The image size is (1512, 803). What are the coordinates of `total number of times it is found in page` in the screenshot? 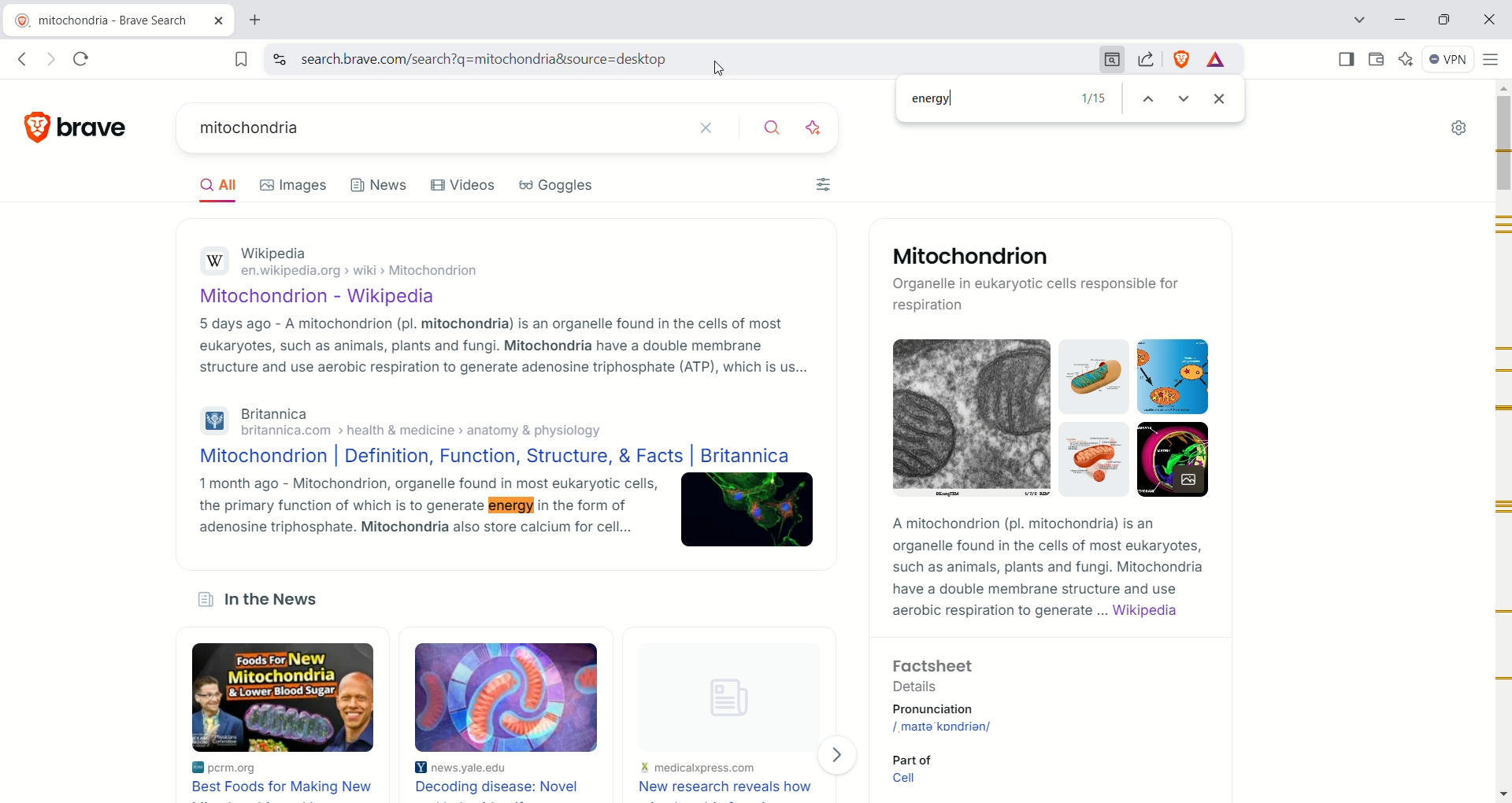 It's located at (1088, 98).